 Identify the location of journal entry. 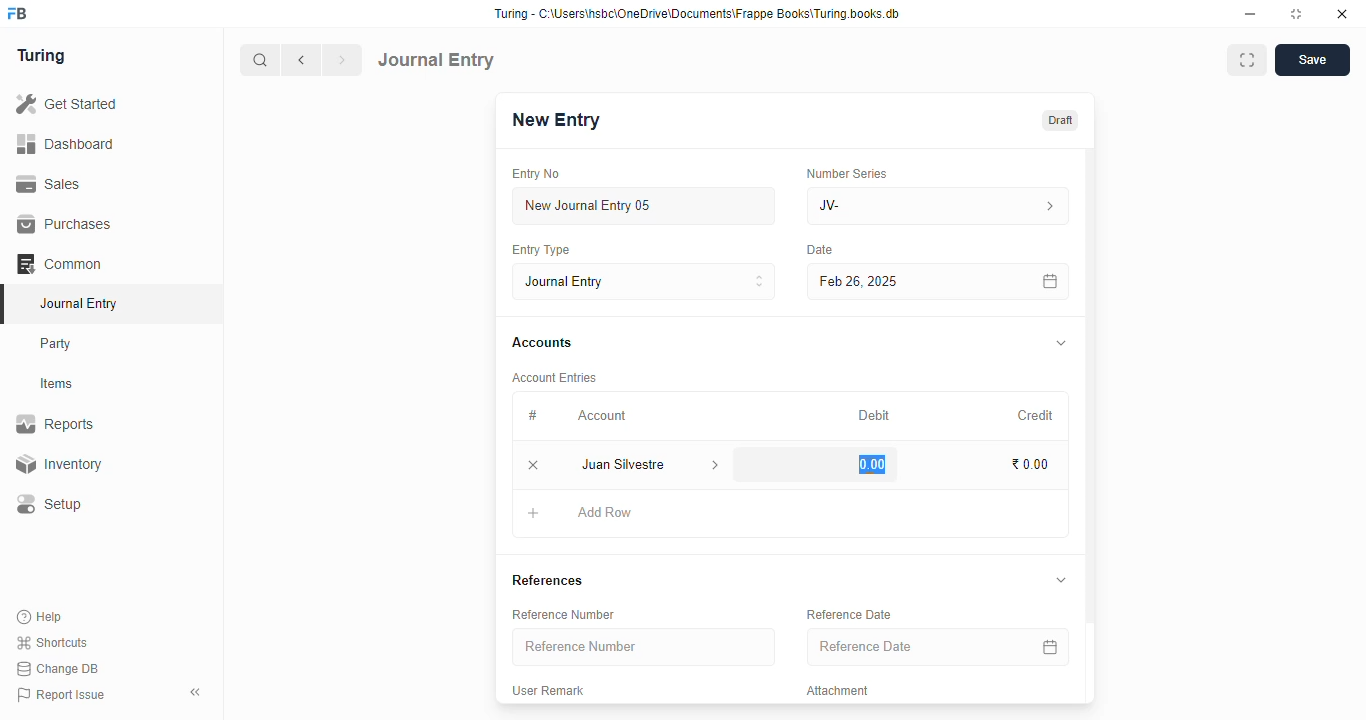
(437, 59).